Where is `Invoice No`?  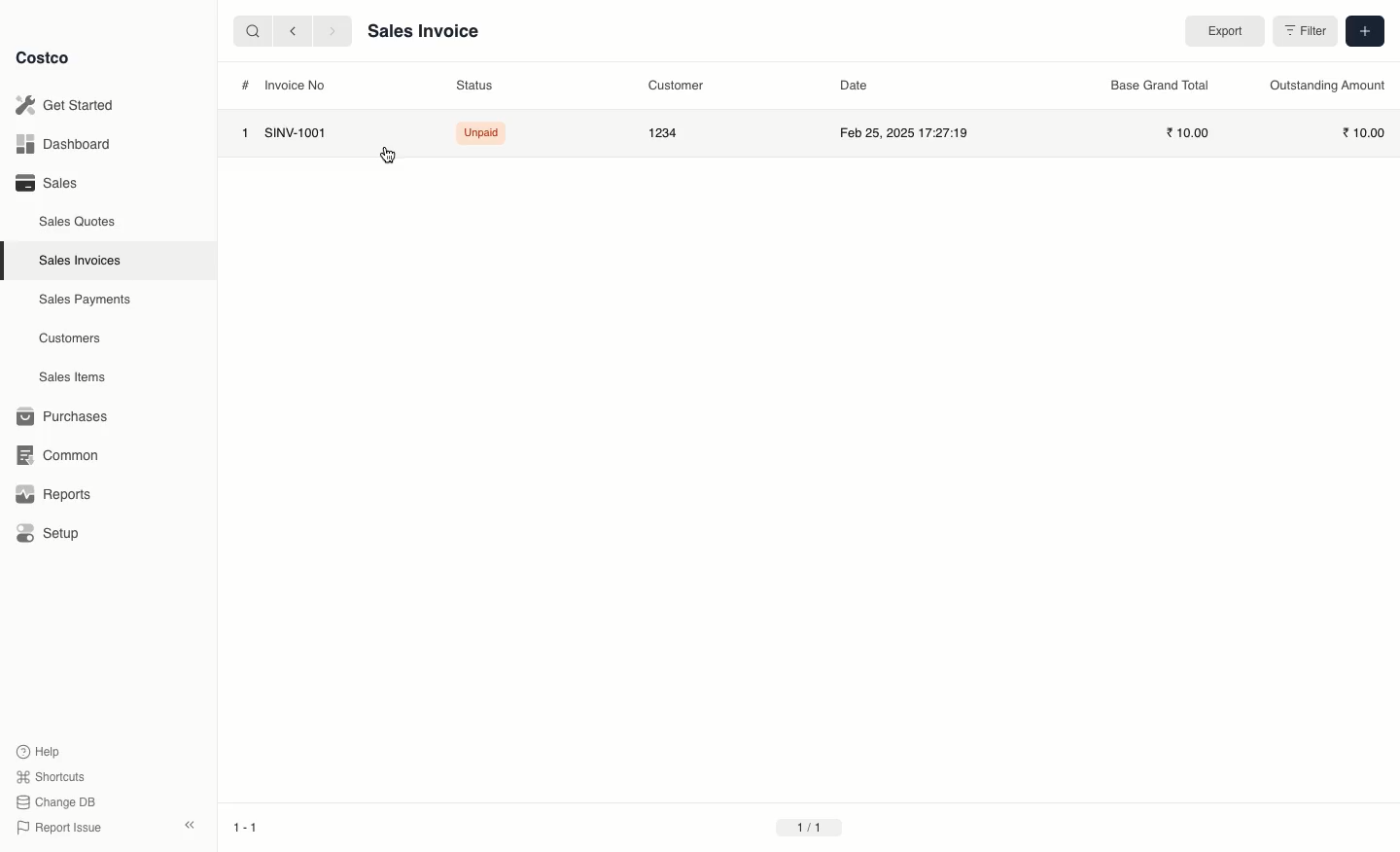
Invoice No is located at coordinates (297, 85).